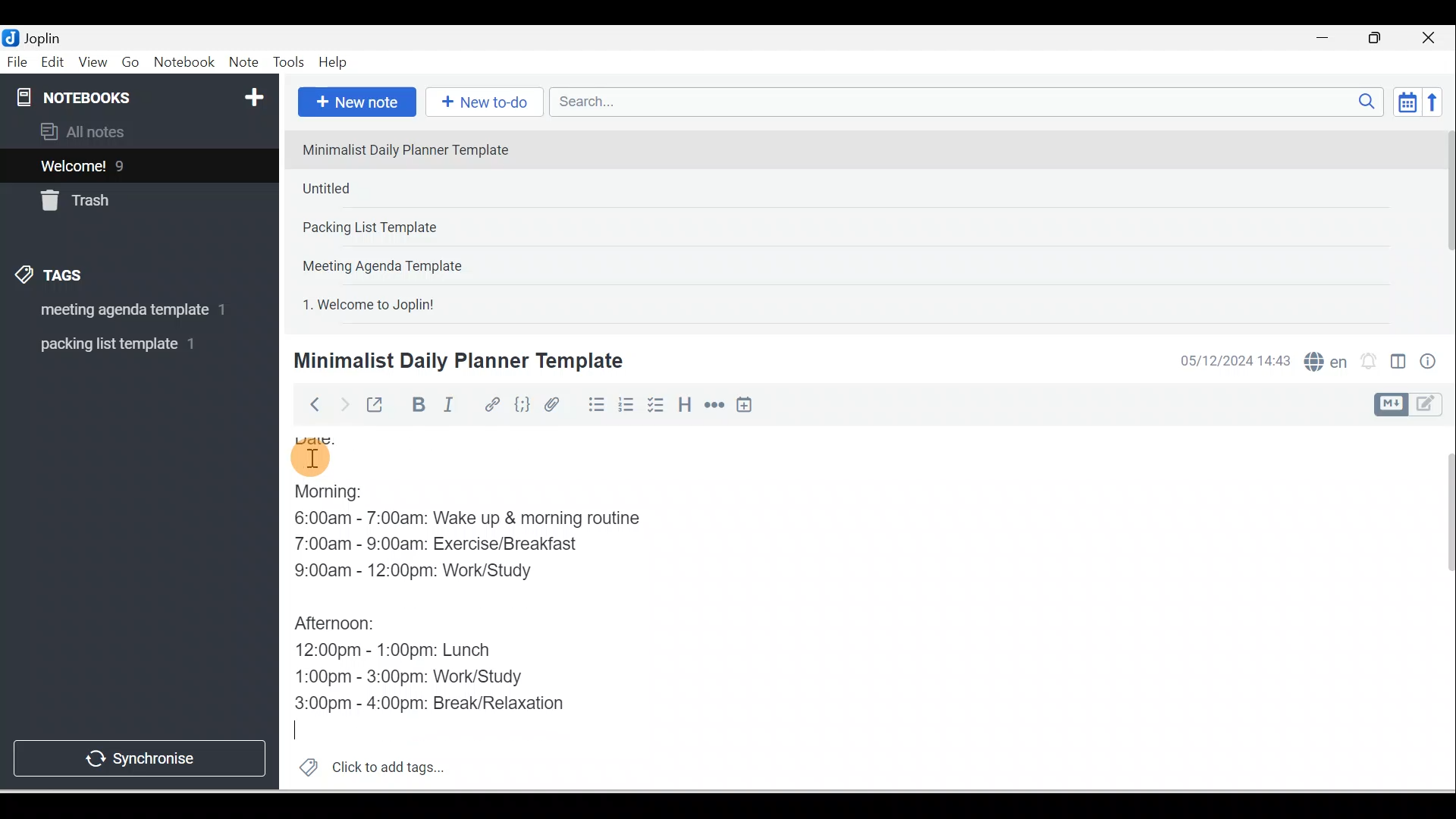  Describe the element at coordinates (343, 403) in the screenshot. I see `Forward` at that location.